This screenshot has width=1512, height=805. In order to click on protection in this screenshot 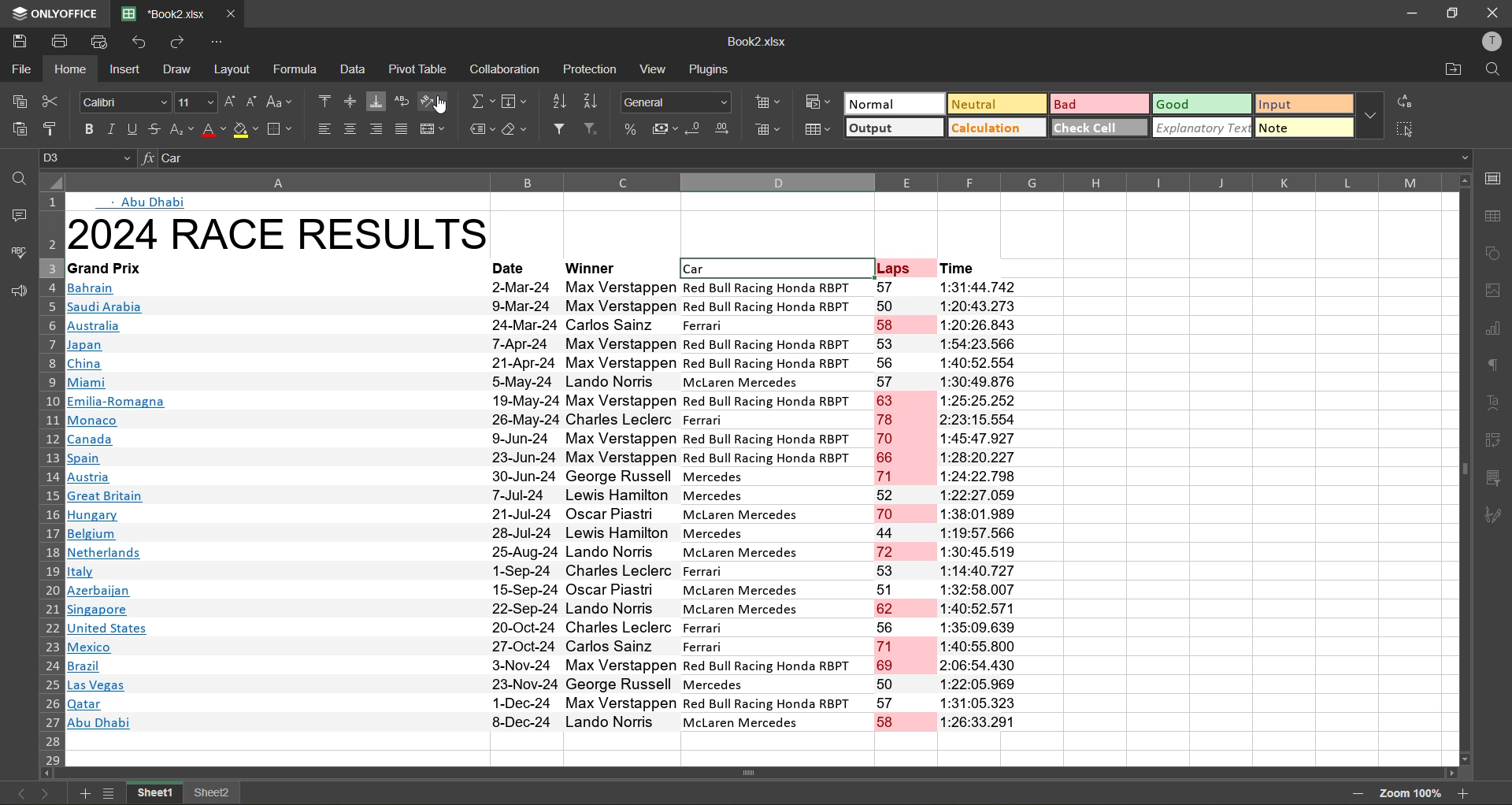, I will do `click(591, 71)`.